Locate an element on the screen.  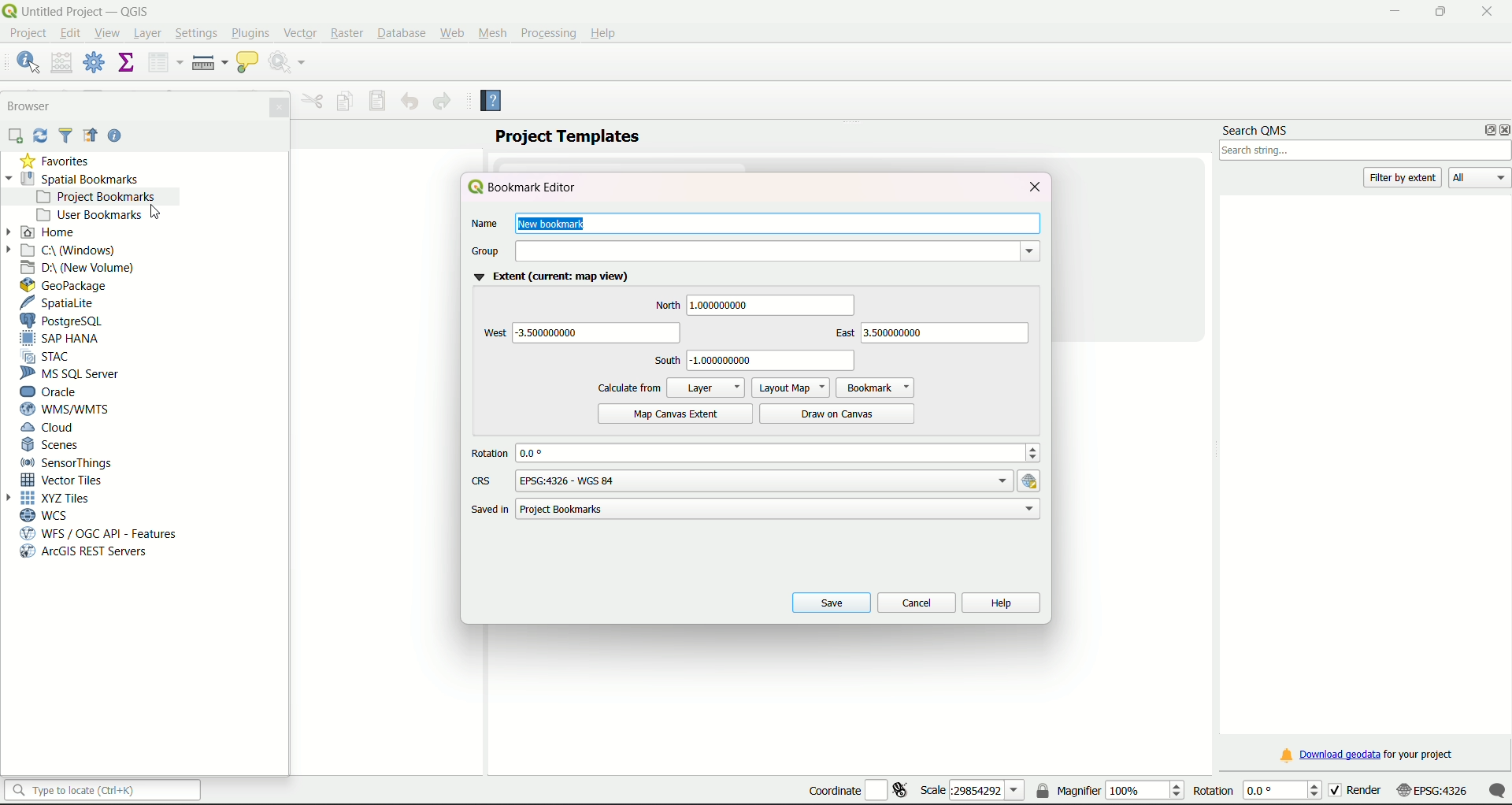
minimize is located at coordinates (1392, 12).